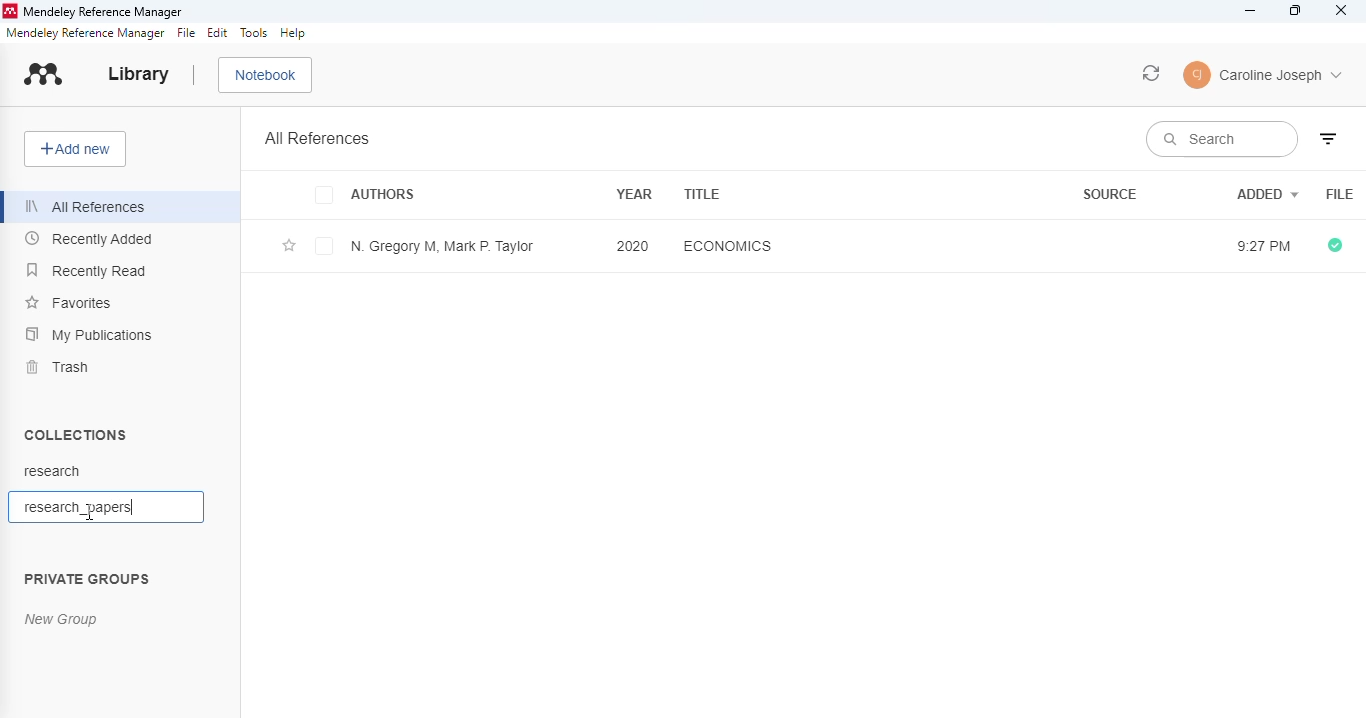 This screenshot has width=1366, height=718. What do you see at coordinates (44, 74) in the screenshot?
I see `logo` at bounding box center [44, 74].